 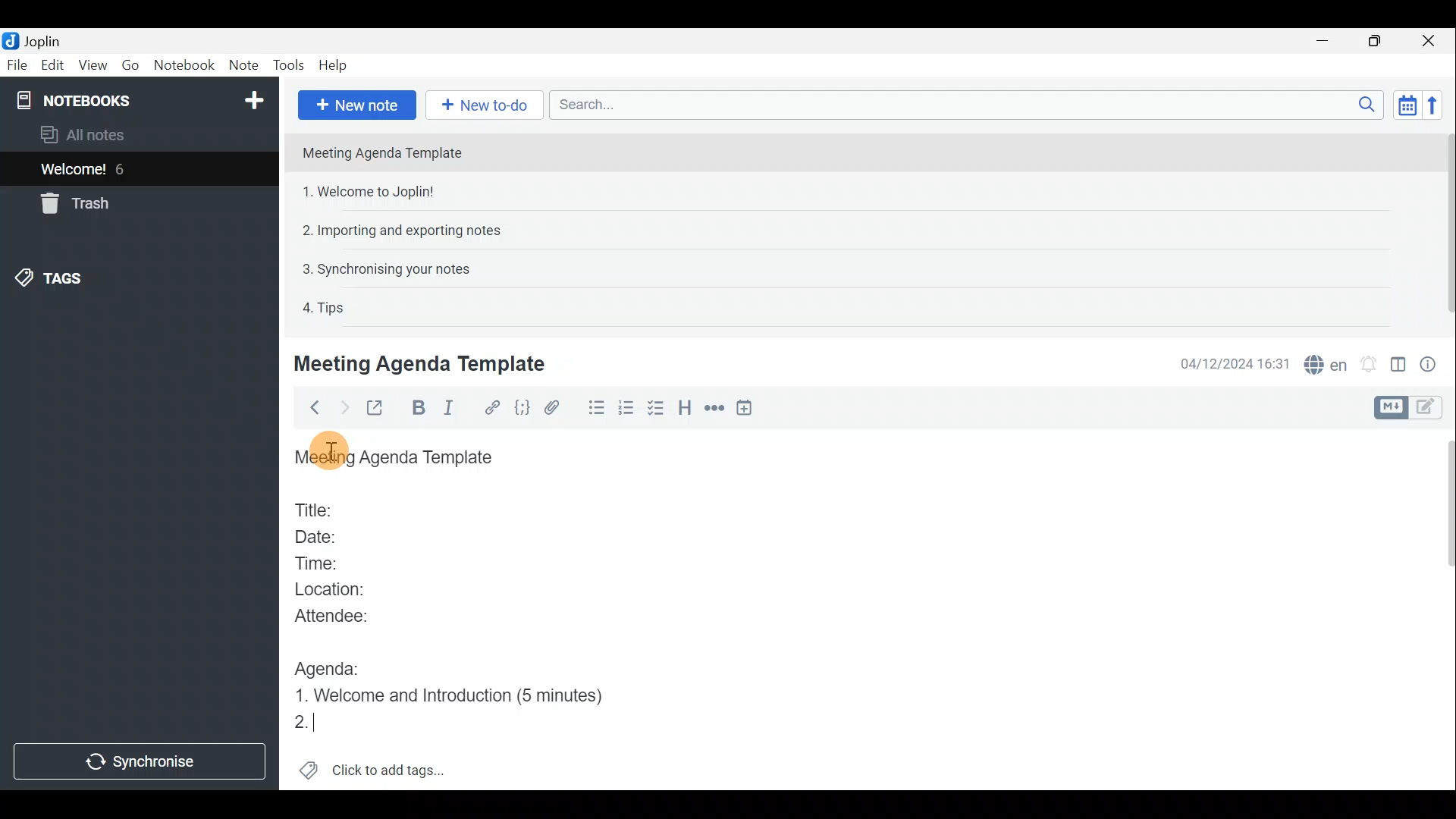 What do you see at coordinates (398, 458) in the screenshot?
I see `Meeting Agenda Template` at bounding box center [398, 458].